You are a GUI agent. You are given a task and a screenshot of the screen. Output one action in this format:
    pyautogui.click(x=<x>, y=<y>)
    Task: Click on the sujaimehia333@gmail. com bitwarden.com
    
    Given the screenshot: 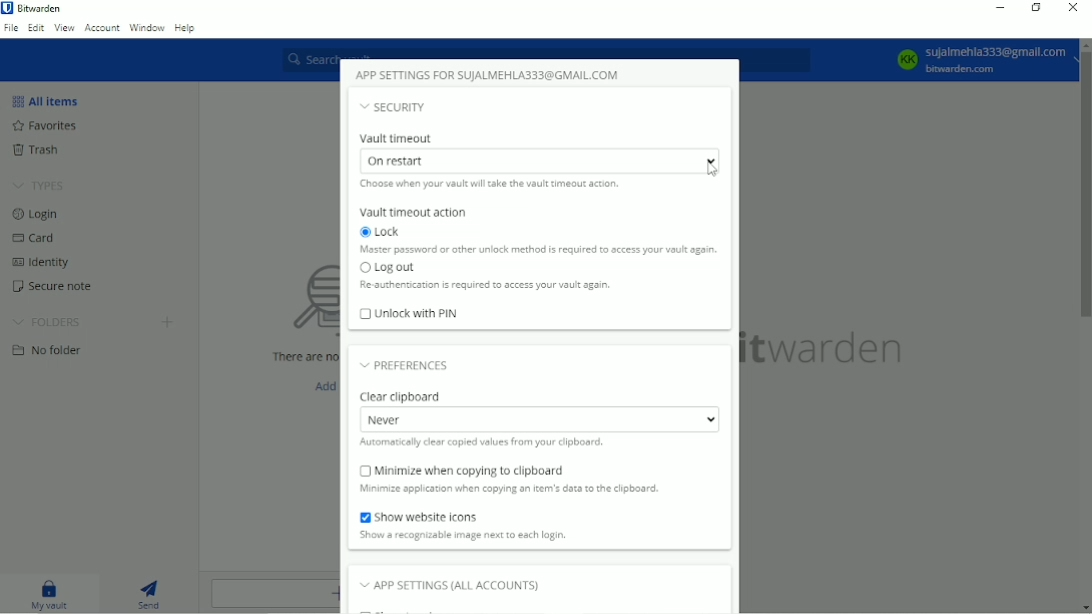 What is the action you would take?
    pyautogui.click(x=997, y=59)
    